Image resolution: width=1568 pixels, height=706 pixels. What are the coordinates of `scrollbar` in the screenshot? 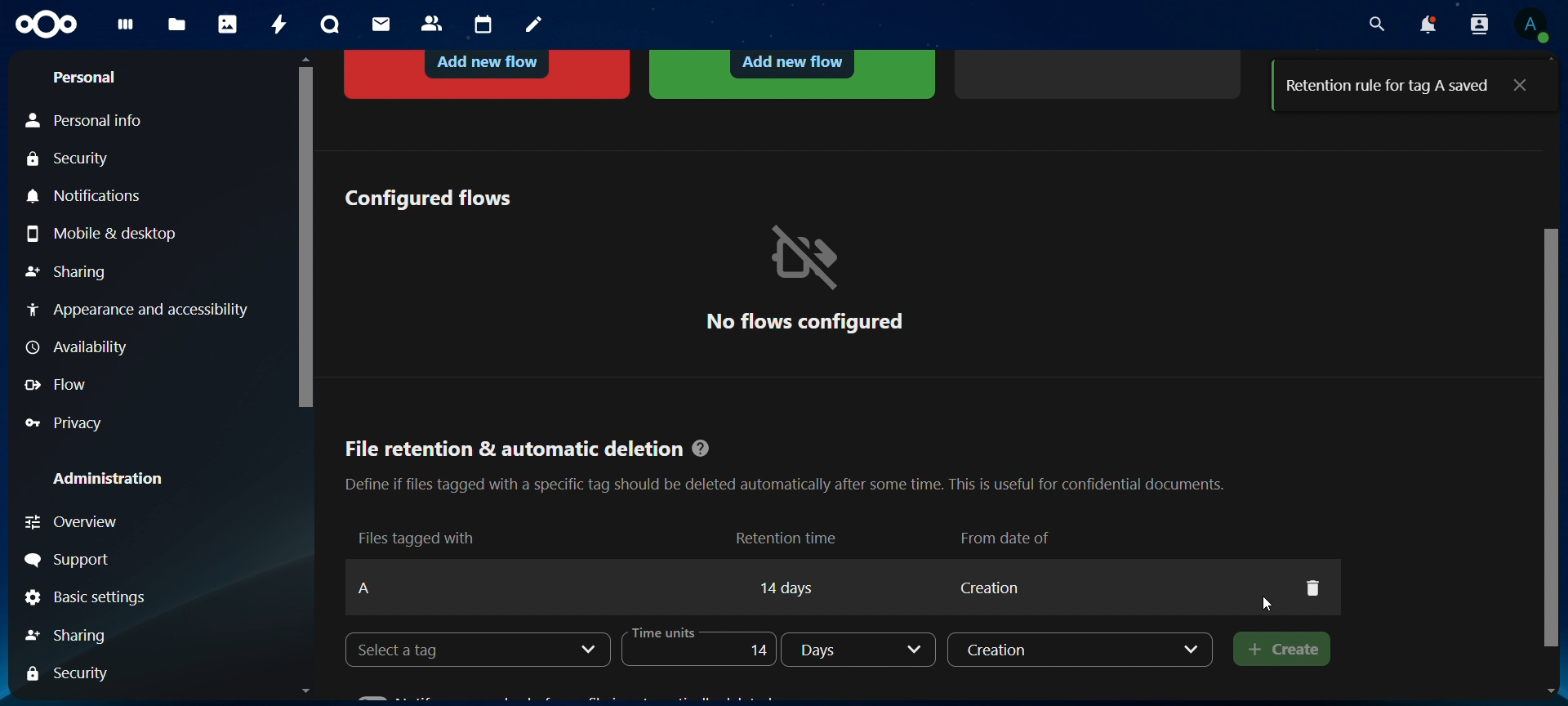 It's located at (1554, 457).